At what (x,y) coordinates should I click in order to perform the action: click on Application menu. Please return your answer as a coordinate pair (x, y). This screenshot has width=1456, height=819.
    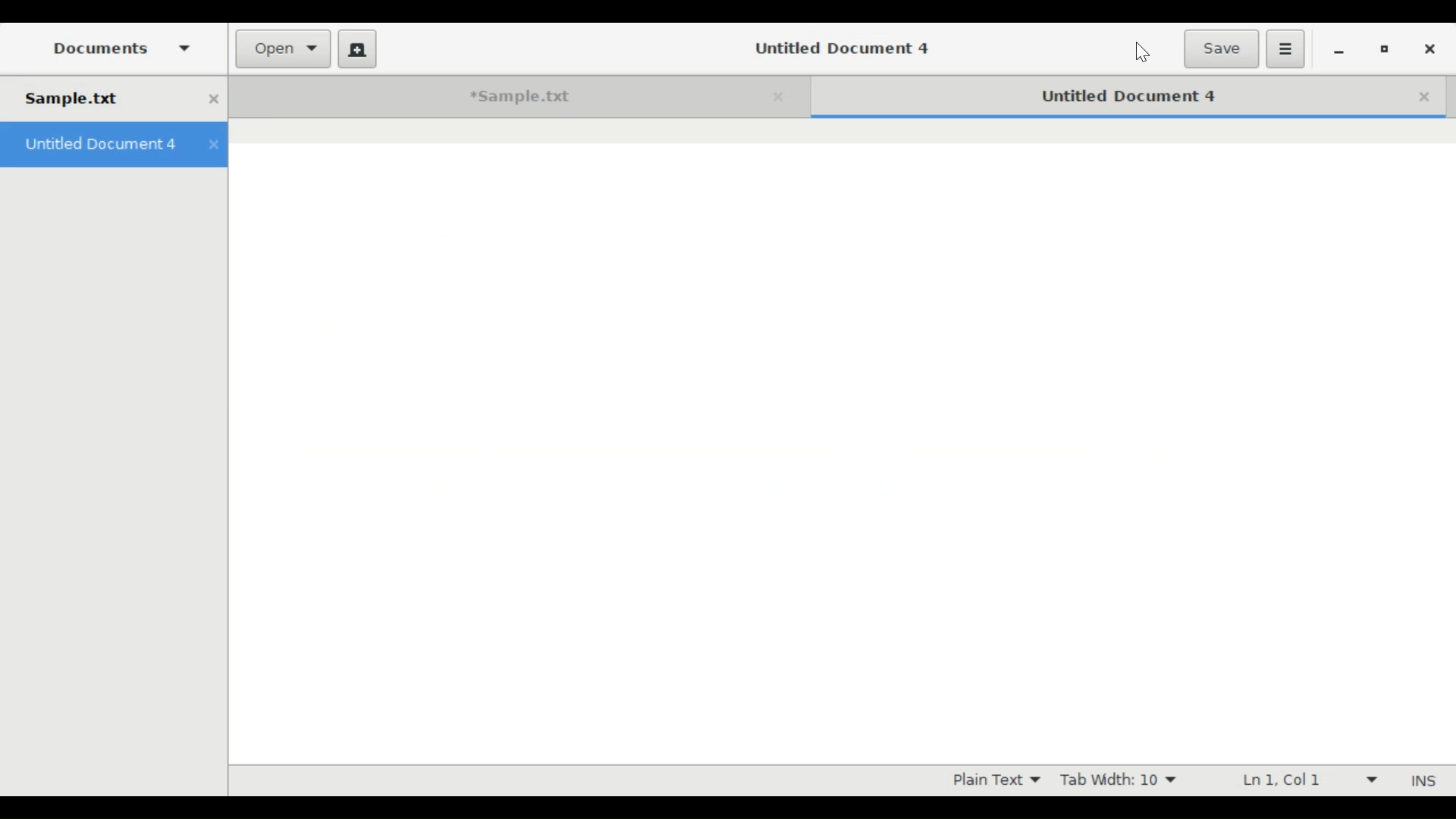
    Looking at the image, I should click on (1286, 50).